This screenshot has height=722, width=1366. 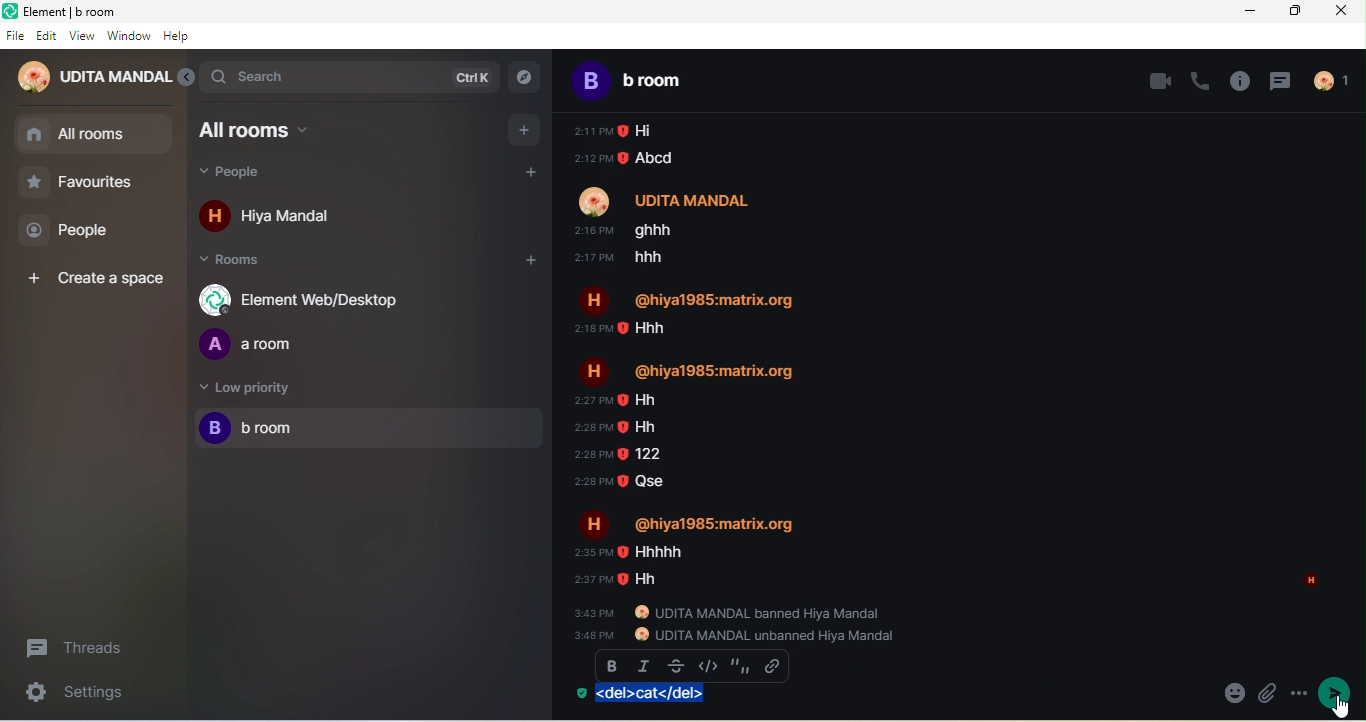 I want to click on rooms, so click(x=240, y=263).